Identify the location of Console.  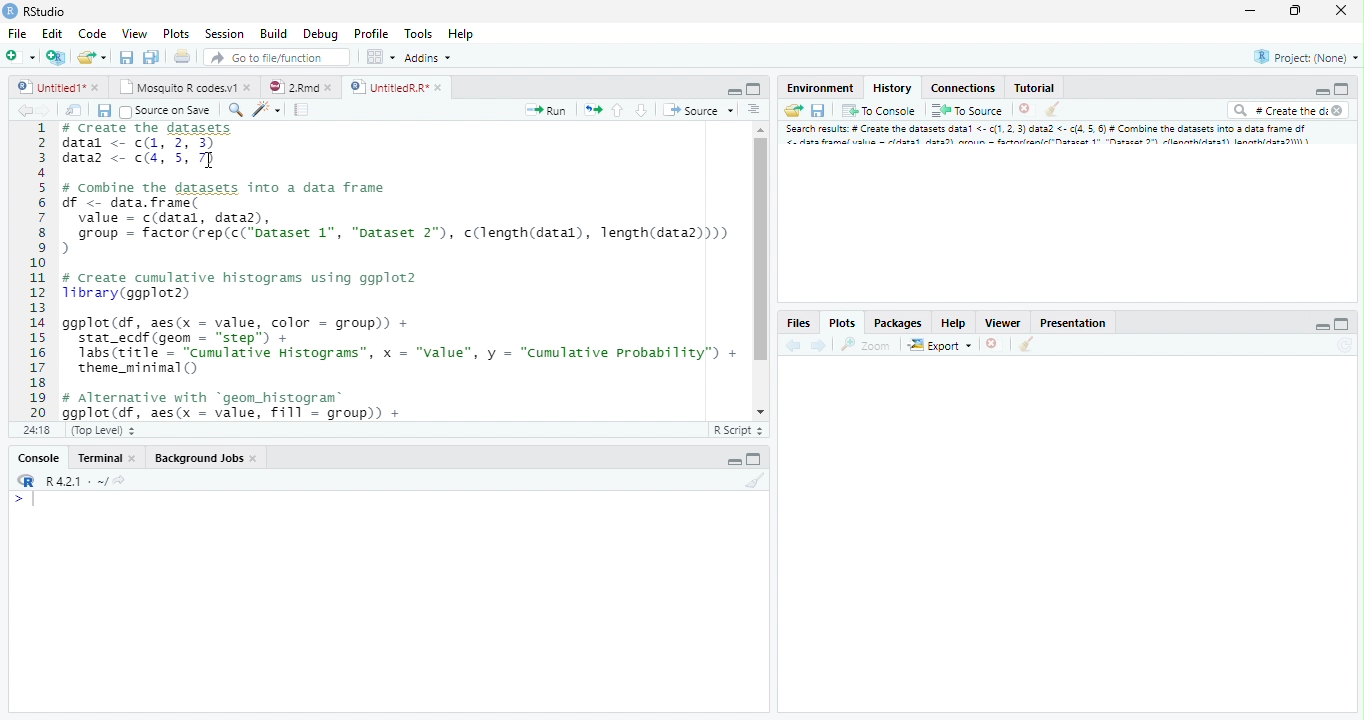
(42, 457).